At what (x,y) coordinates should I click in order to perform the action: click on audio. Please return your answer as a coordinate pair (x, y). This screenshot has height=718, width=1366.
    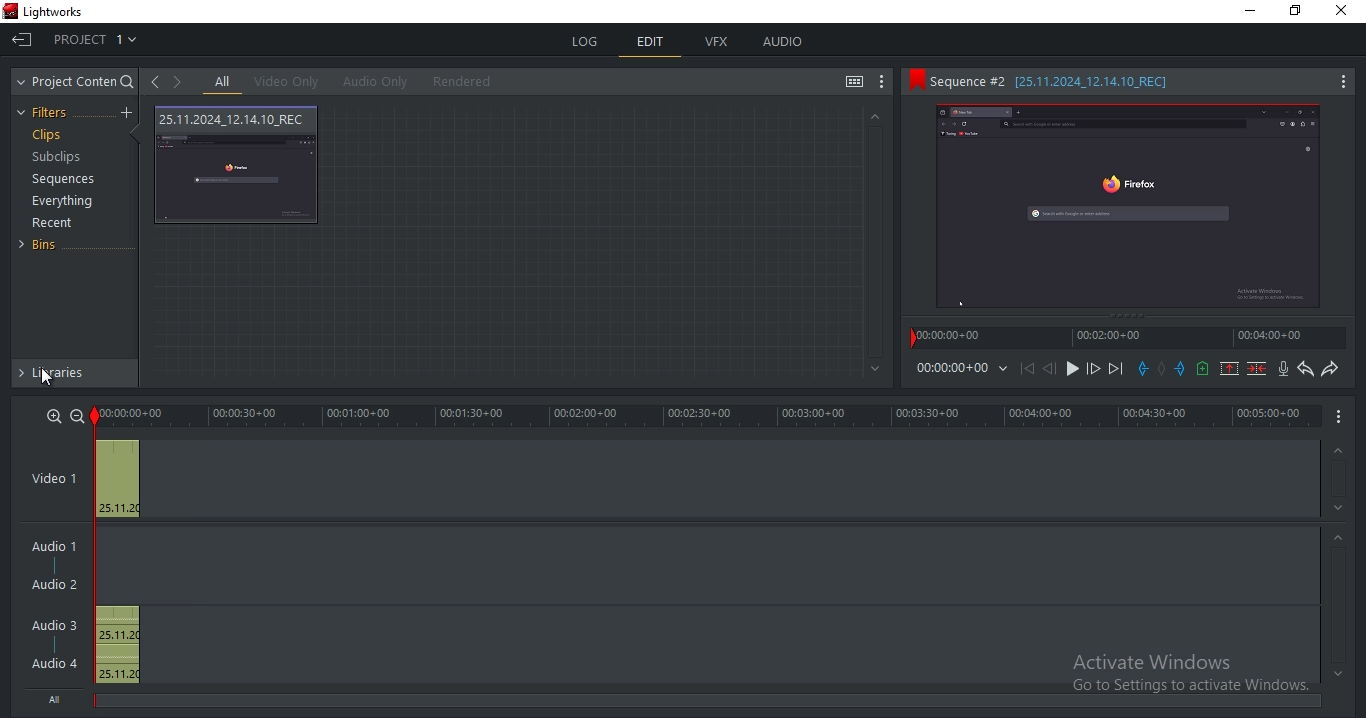
    Looking at the image, I should click on (57, 608).